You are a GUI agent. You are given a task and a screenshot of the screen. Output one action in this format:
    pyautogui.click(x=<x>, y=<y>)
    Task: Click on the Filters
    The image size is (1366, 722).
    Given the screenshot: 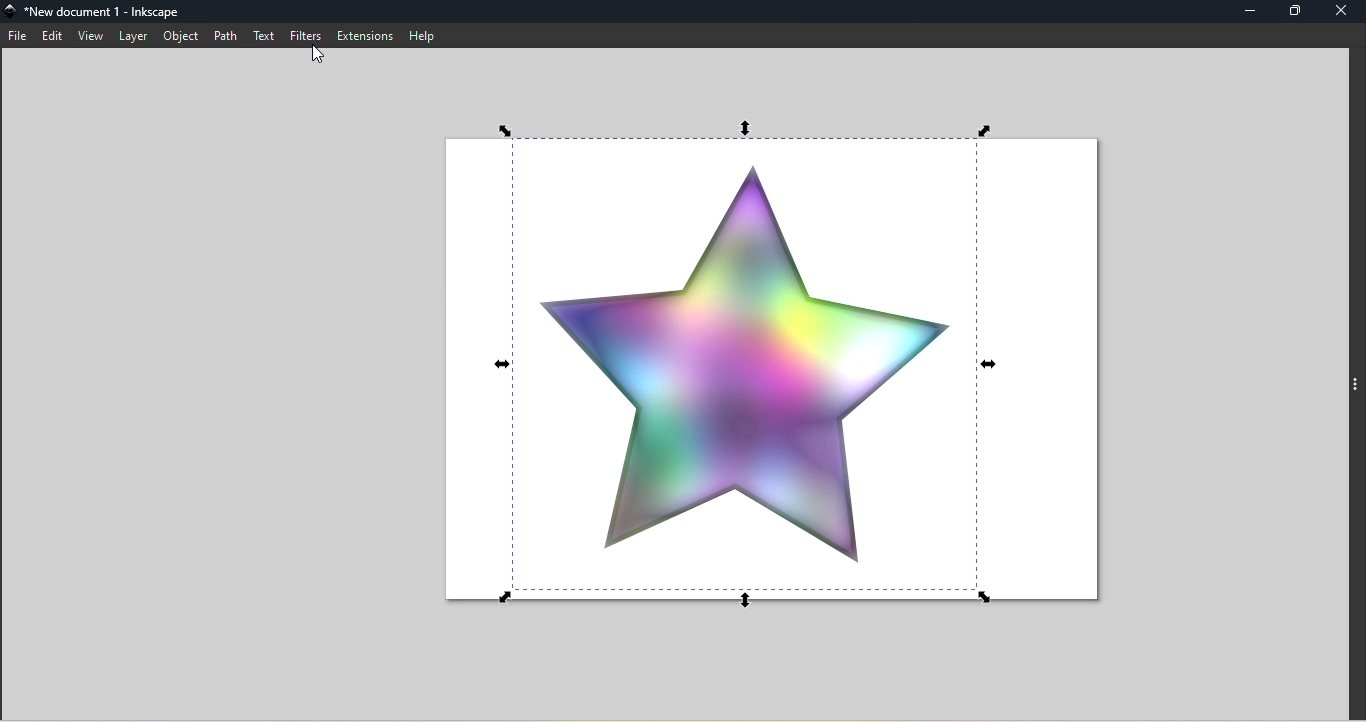 What is the action you would take?
    pyautogui.click(x=301, y=35)
    